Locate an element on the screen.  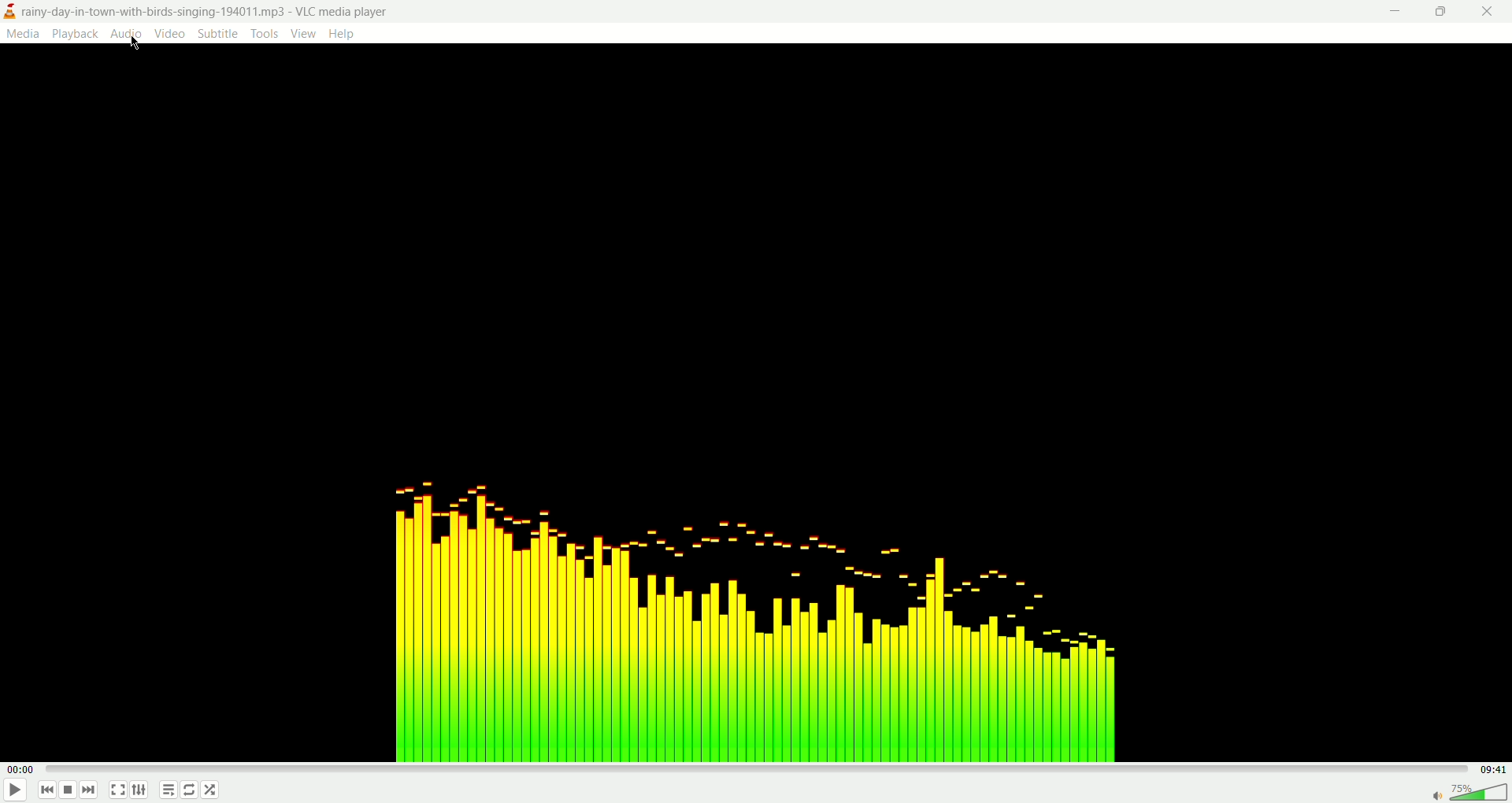
playback is located at coordinates (76, 32).